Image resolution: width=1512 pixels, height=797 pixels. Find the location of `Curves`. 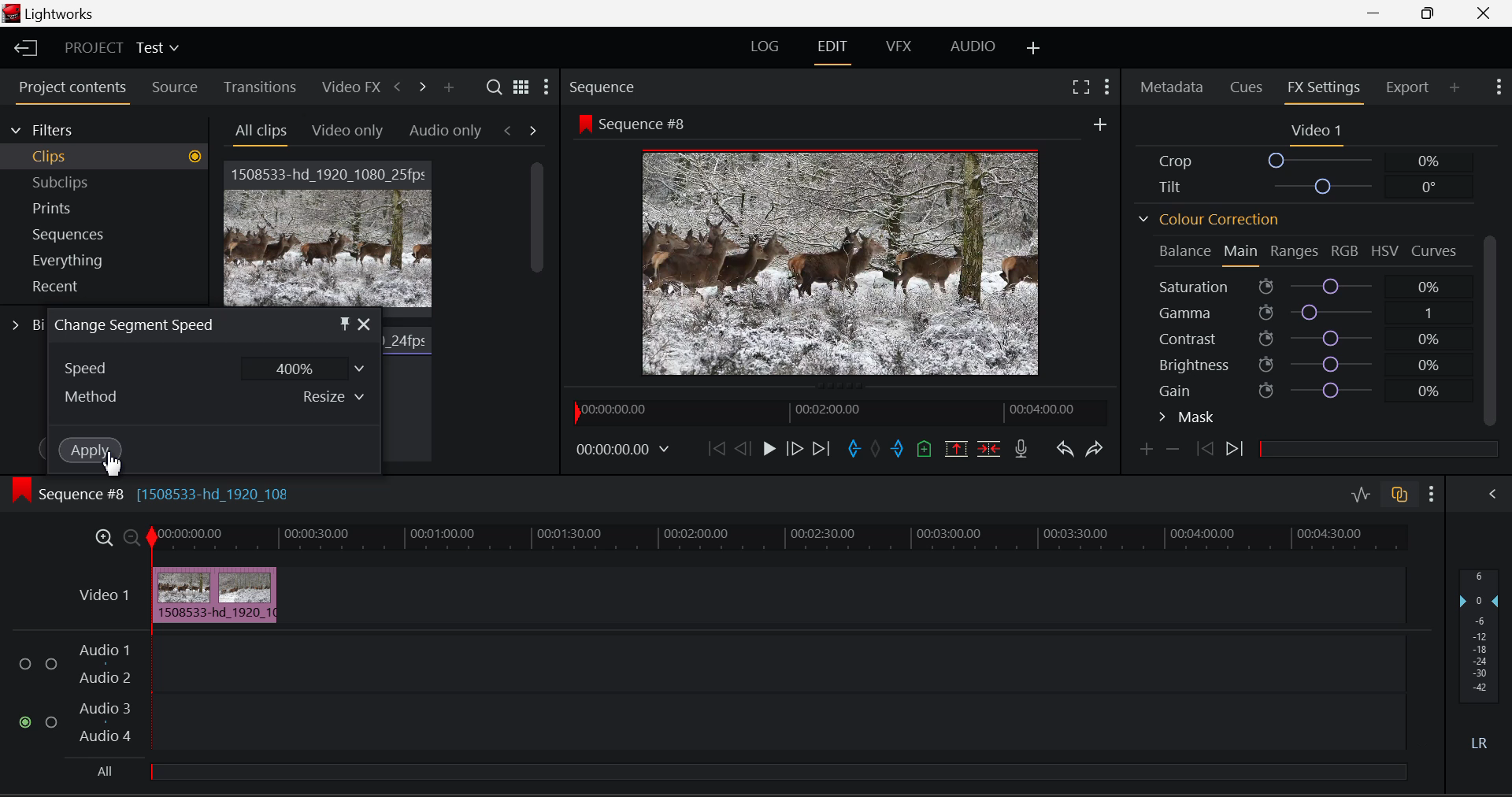

Curves is located at coordinates (1436, 250).